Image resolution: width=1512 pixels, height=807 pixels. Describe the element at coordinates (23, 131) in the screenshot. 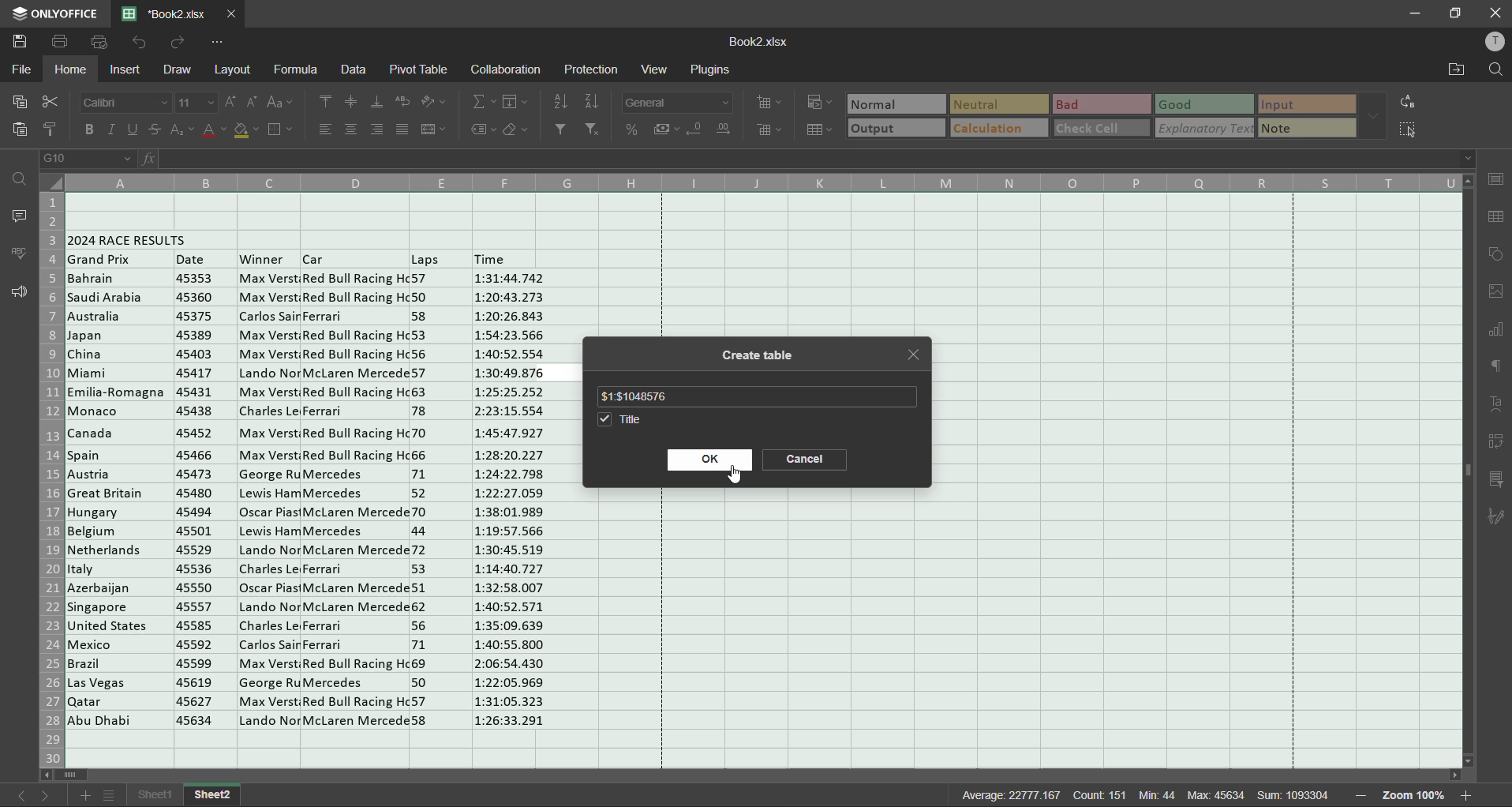

I see `paste` at that location.